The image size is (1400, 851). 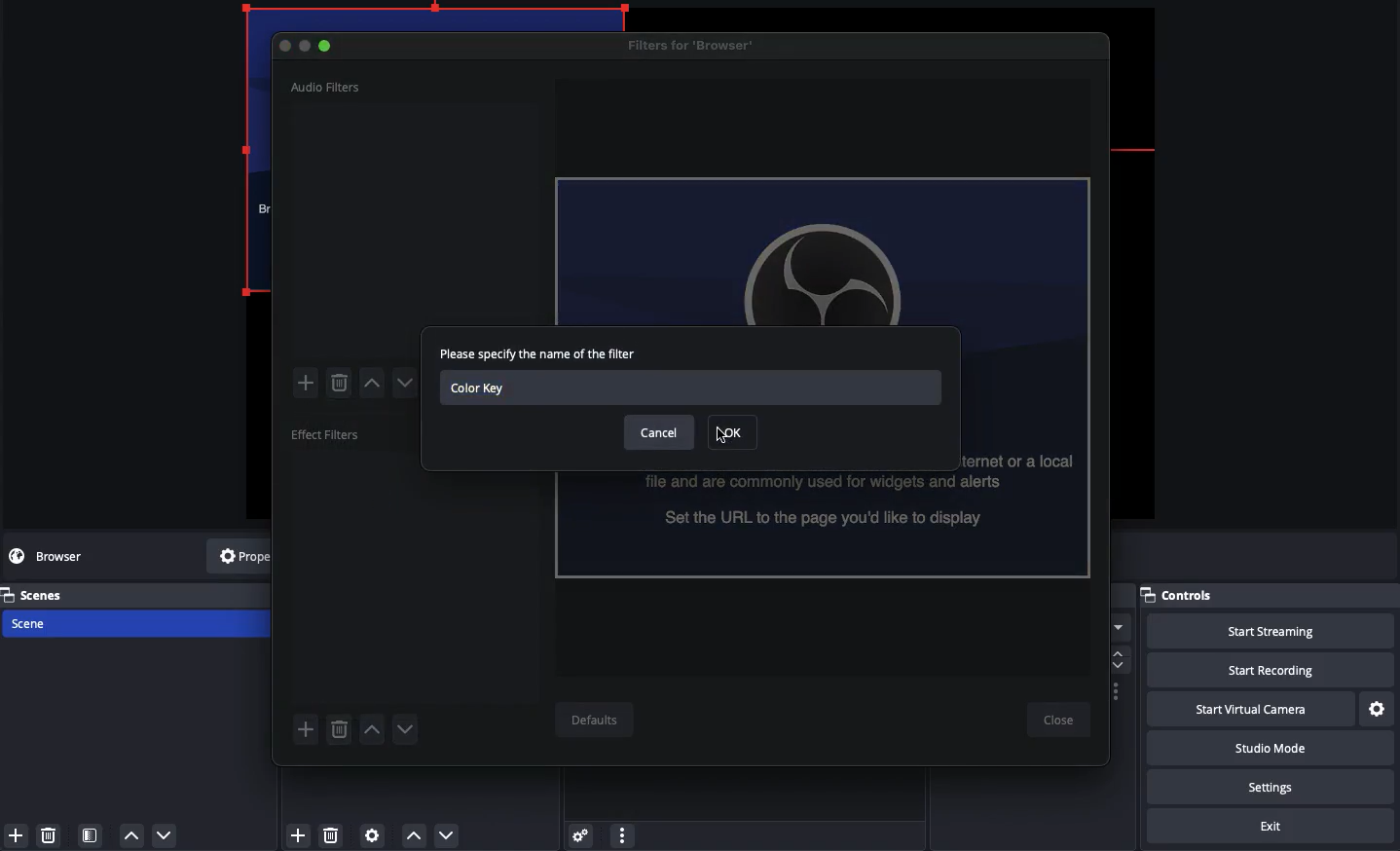 I want to click on Effect filters, so click(x=328, y=433).